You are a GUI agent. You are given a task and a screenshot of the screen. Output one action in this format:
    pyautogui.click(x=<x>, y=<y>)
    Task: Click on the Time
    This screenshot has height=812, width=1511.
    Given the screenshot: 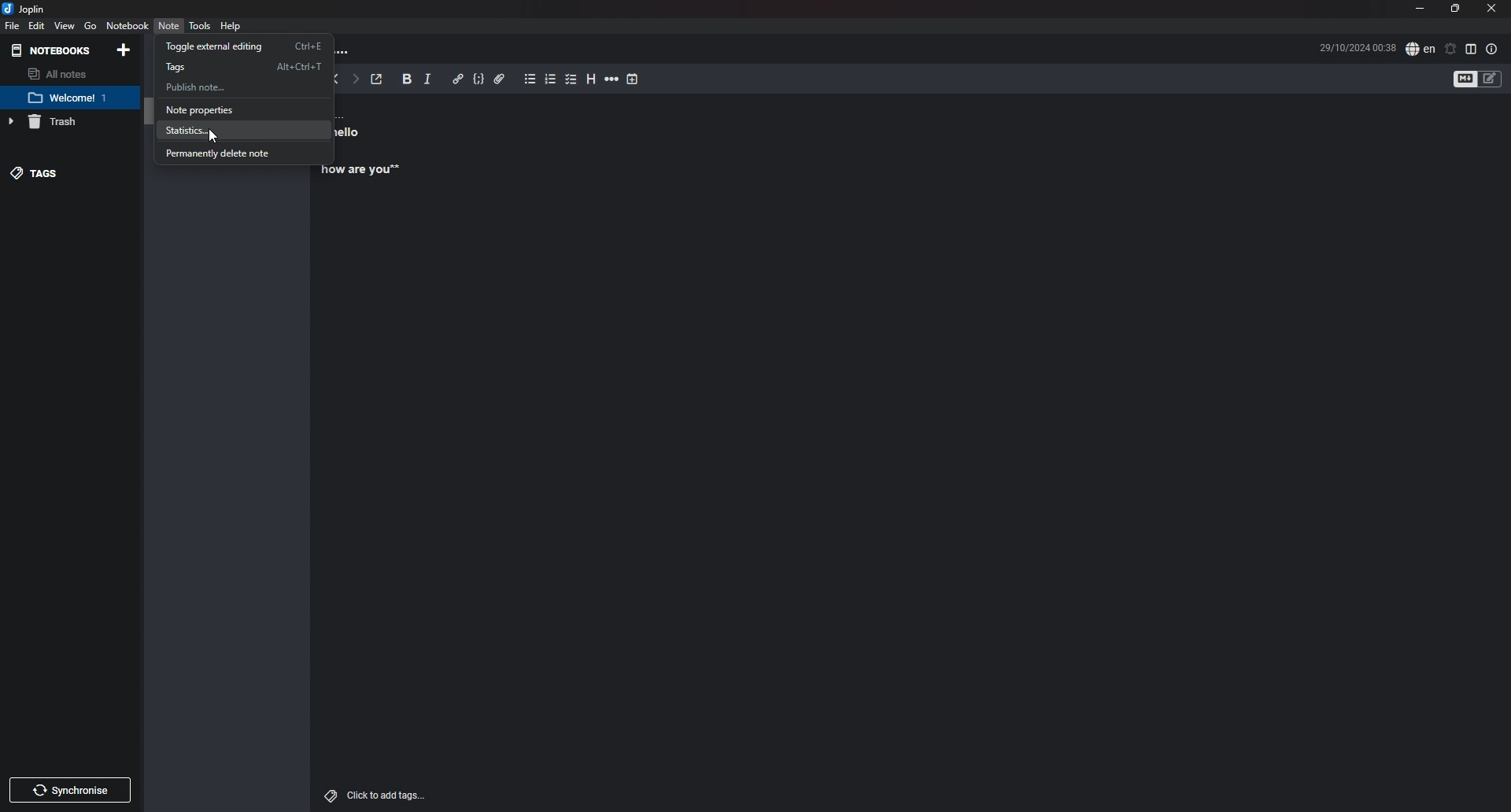 What is the action you would take?
    pyautogui.click(x=1356, y=46)
    